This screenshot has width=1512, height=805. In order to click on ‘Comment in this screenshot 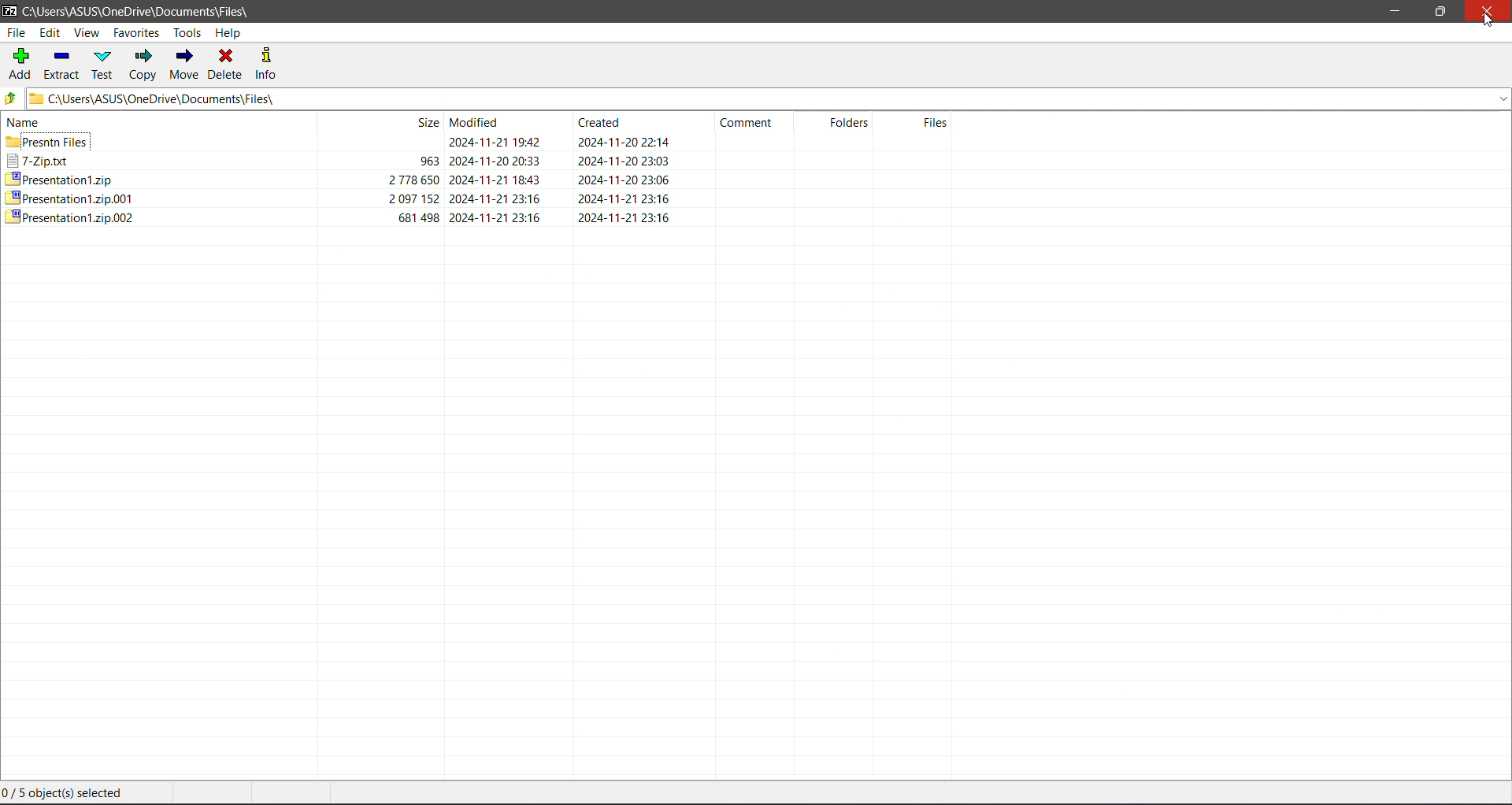, I will do `click(744, 124)`.